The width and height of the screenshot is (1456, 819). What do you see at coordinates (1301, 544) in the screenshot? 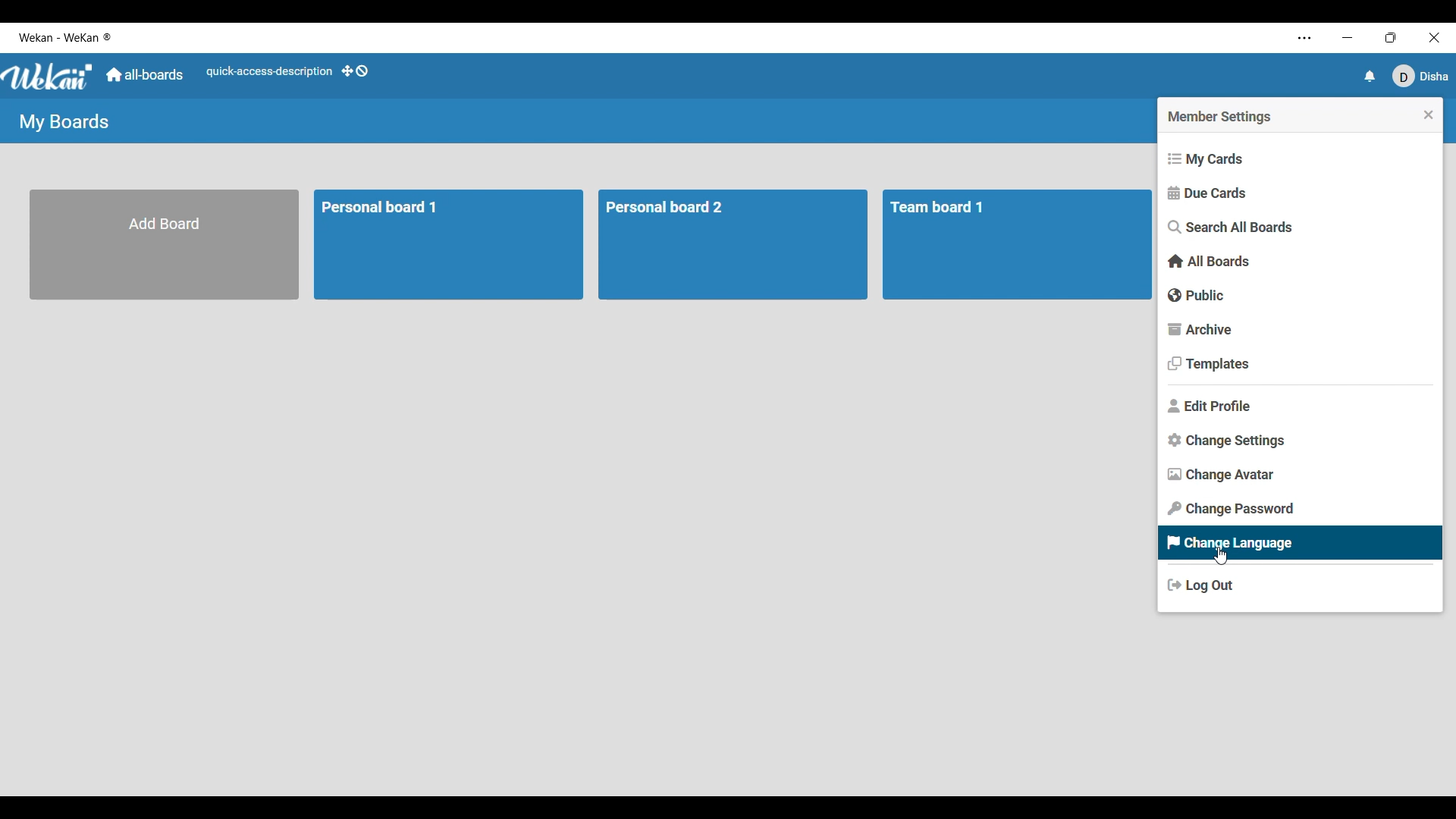
I see `Change language` at bounding box center [1301, 544].